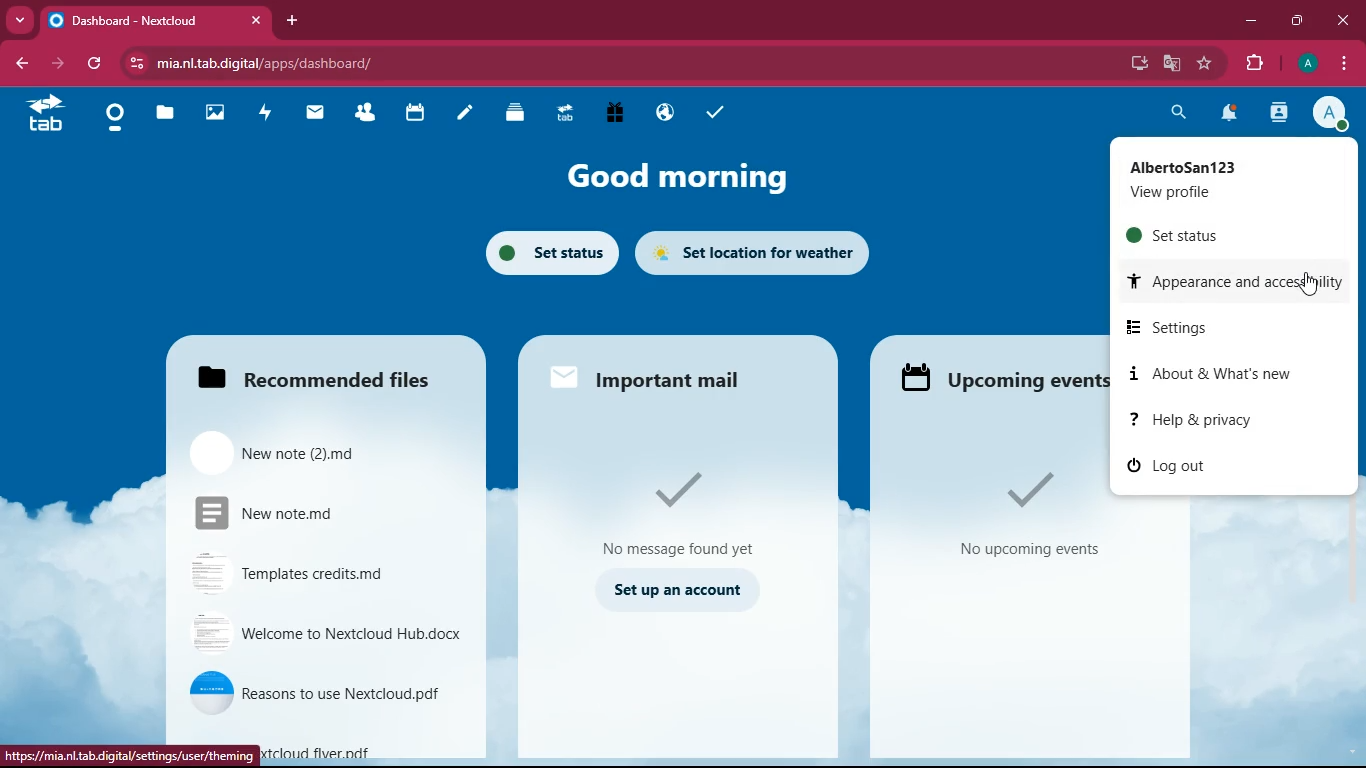  Describe the element at coordinates (1238, 281) in the screenshot. I see `appearance` at that location.